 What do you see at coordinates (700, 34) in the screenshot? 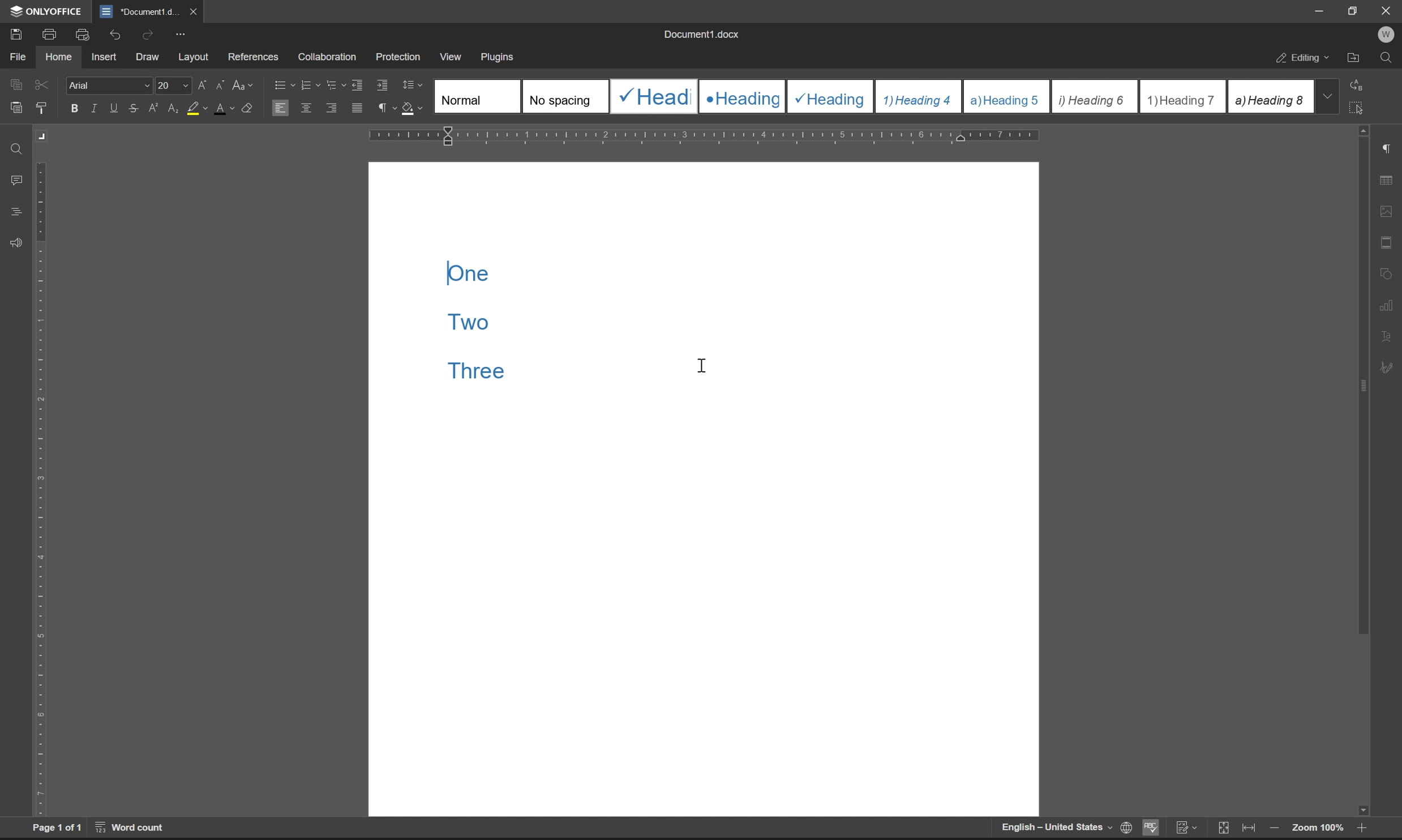
I see `document1.docx` at bounding box center [700, 34].